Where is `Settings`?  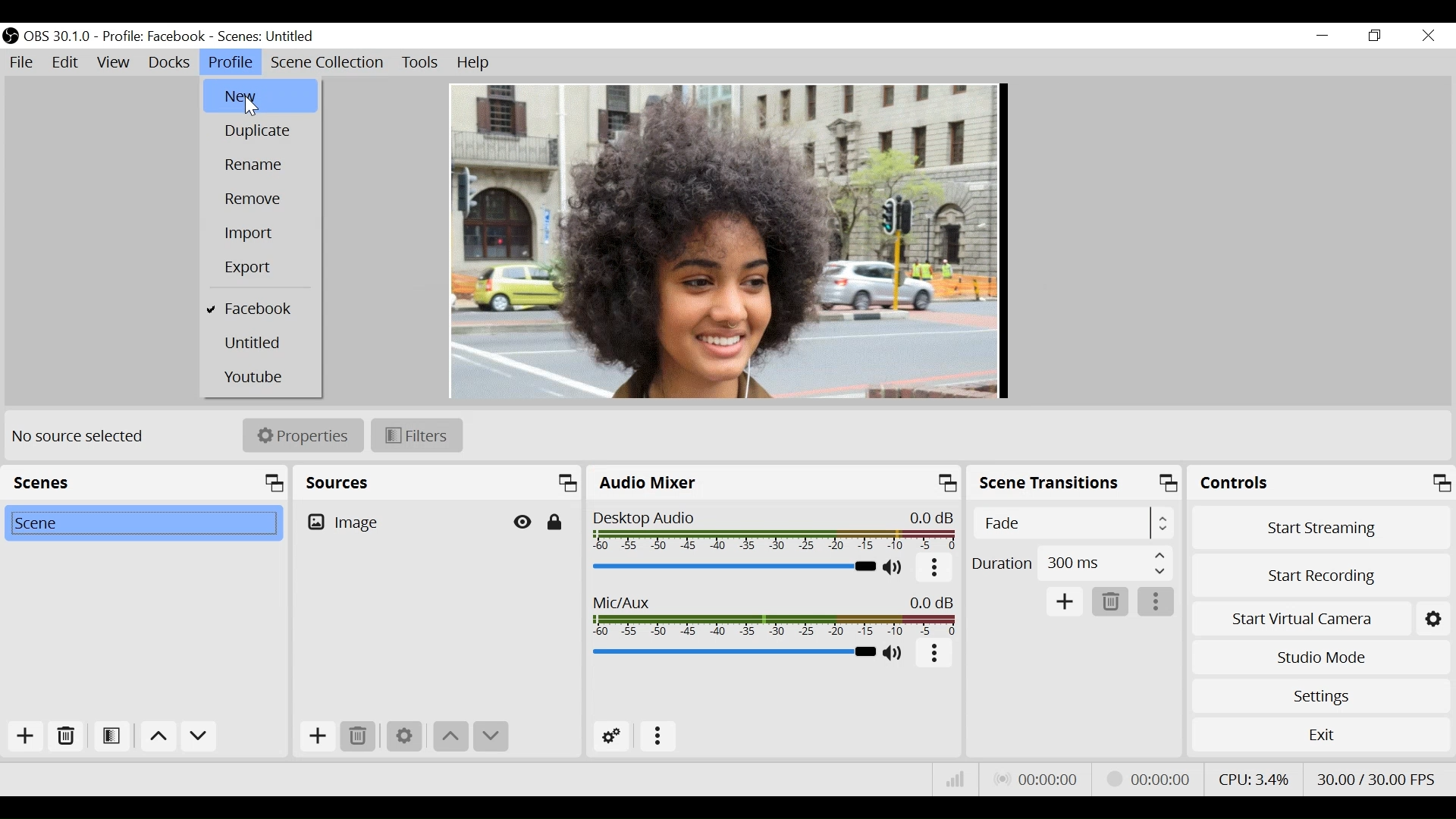
Settings is located at coordinates (403, 737).